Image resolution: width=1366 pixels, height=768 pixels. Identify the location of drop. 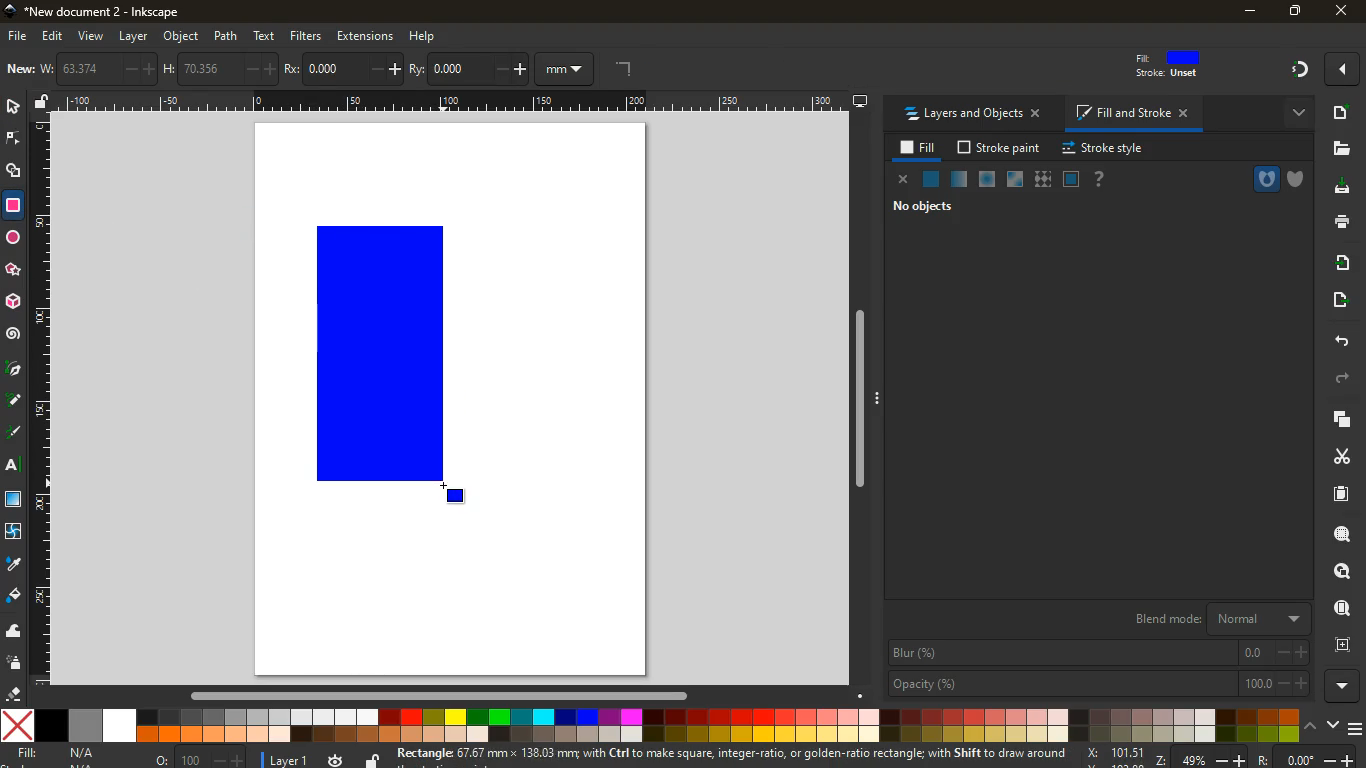
(15, 563).